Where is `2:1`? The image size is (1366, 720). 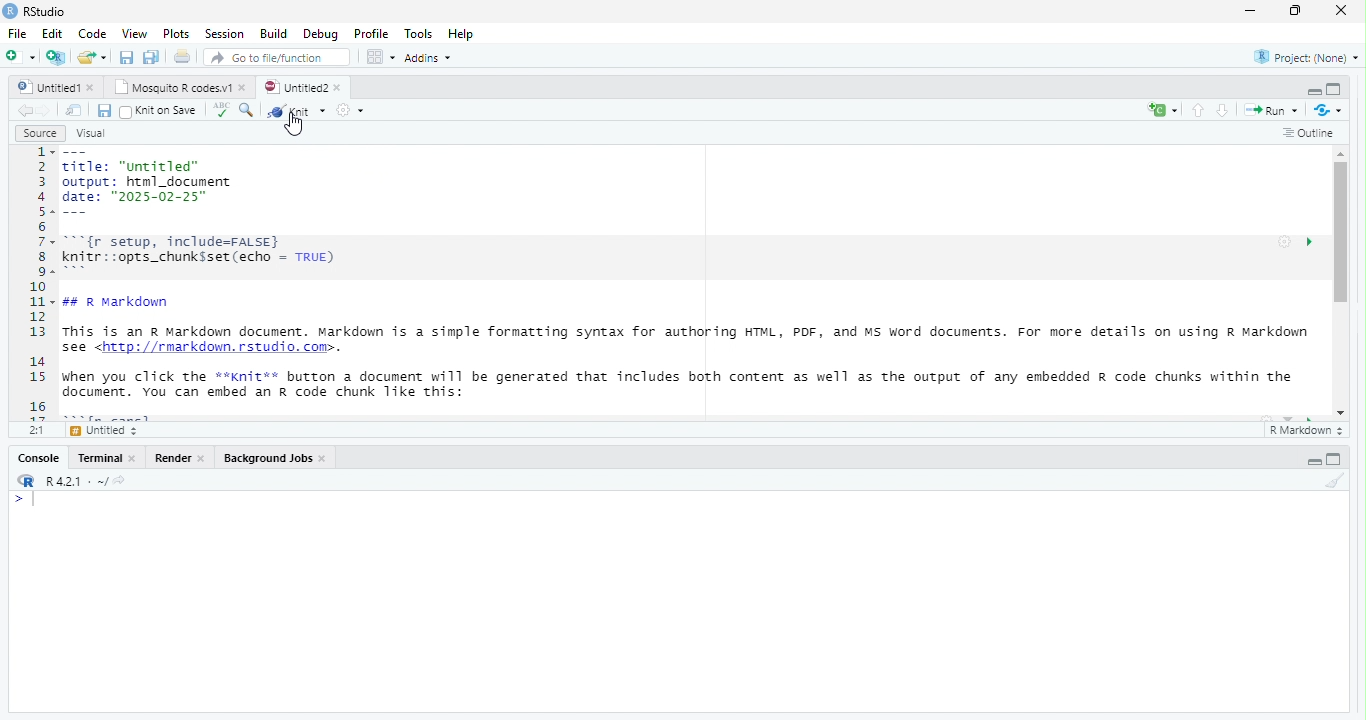 2:1 is located at coordinates (38, 429).